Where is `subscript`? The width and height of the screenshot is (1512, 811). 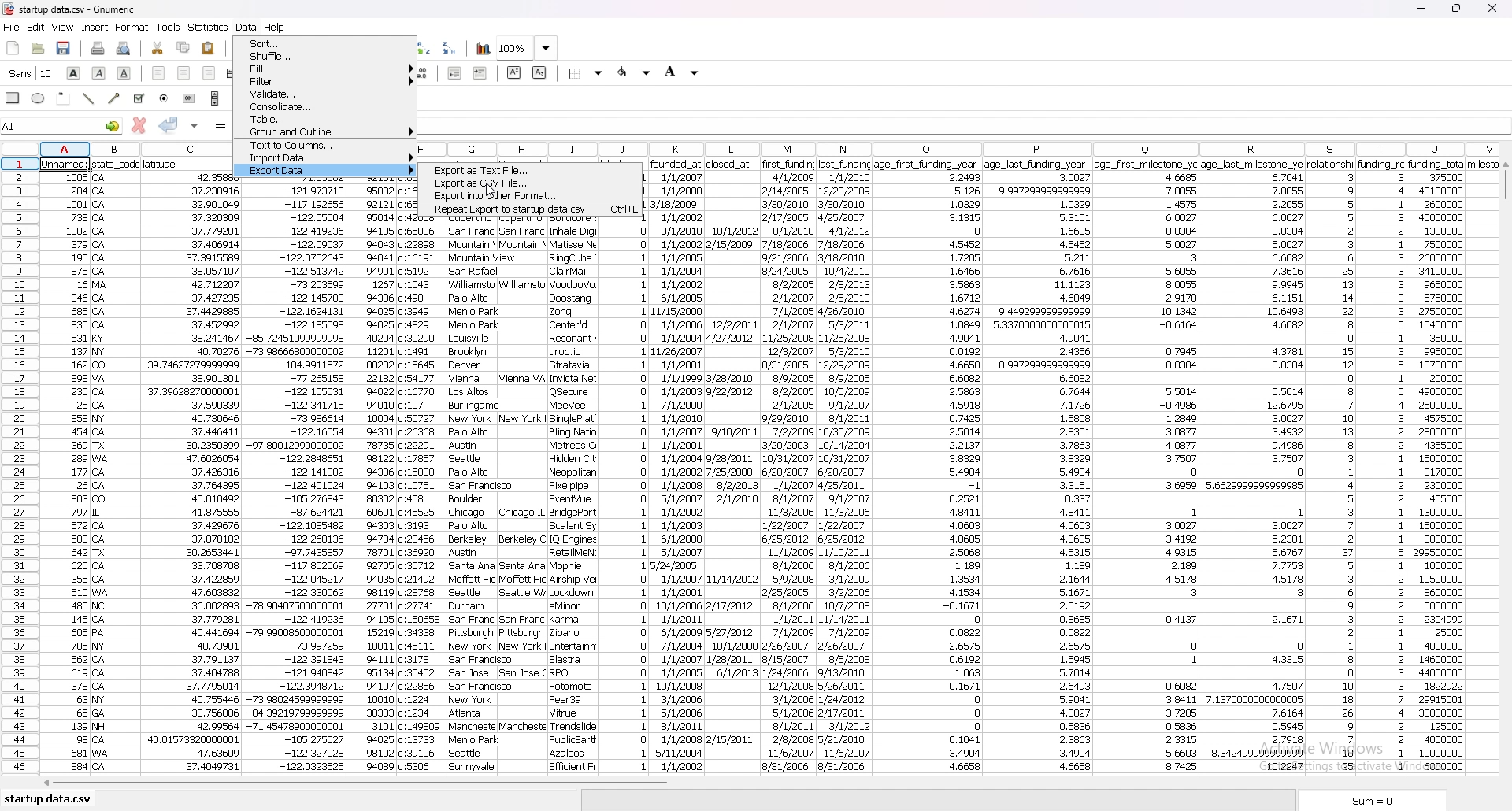 subscript is located at coordinates (539, 72).